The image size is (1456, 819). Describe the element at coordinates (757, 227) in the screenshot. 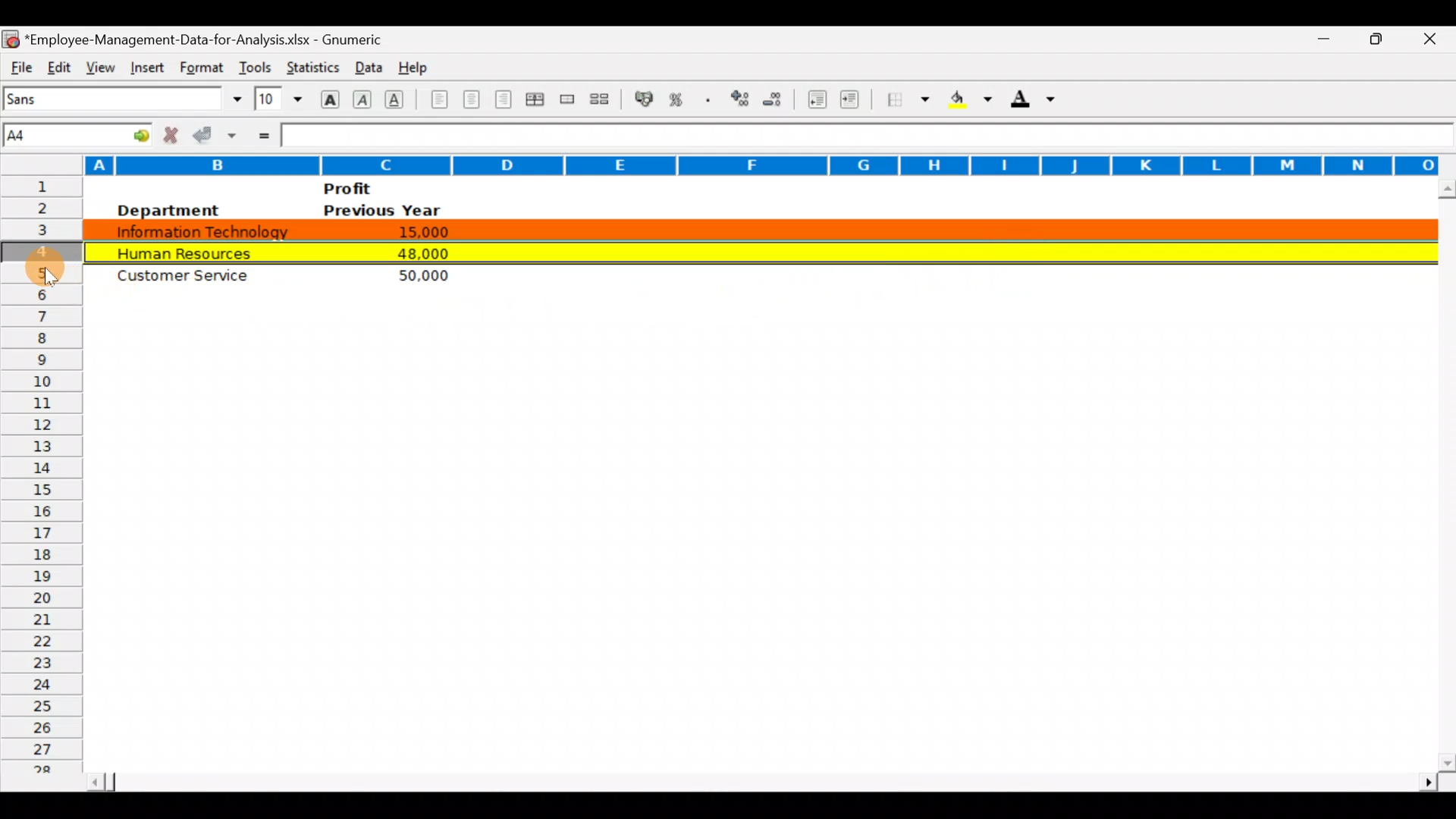

I see `Selected row 3 of data highlighted with color` at that location.